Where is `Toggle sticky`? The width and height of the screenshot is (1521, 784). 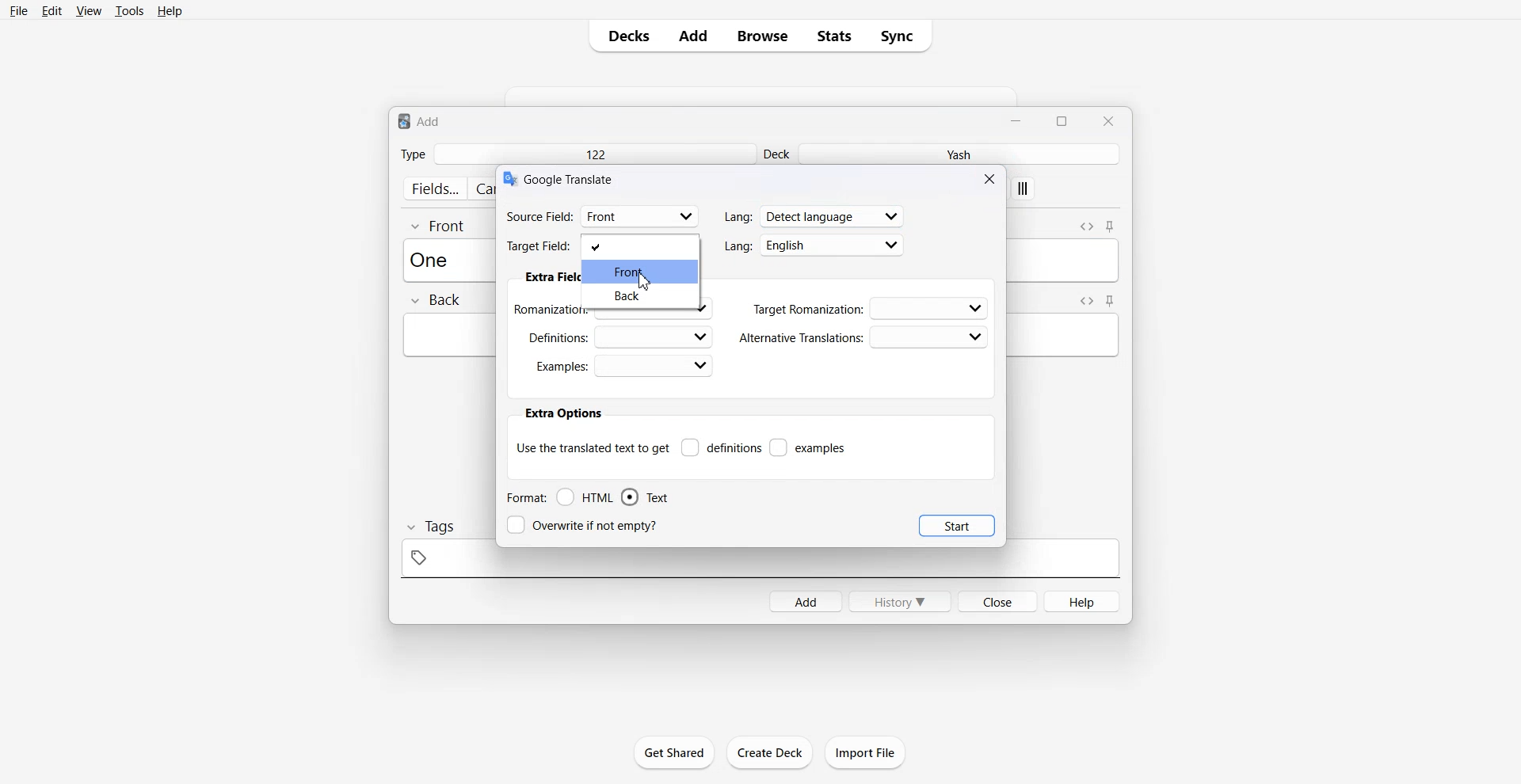
Toggle sticky is located at coordinates (1111, 301).